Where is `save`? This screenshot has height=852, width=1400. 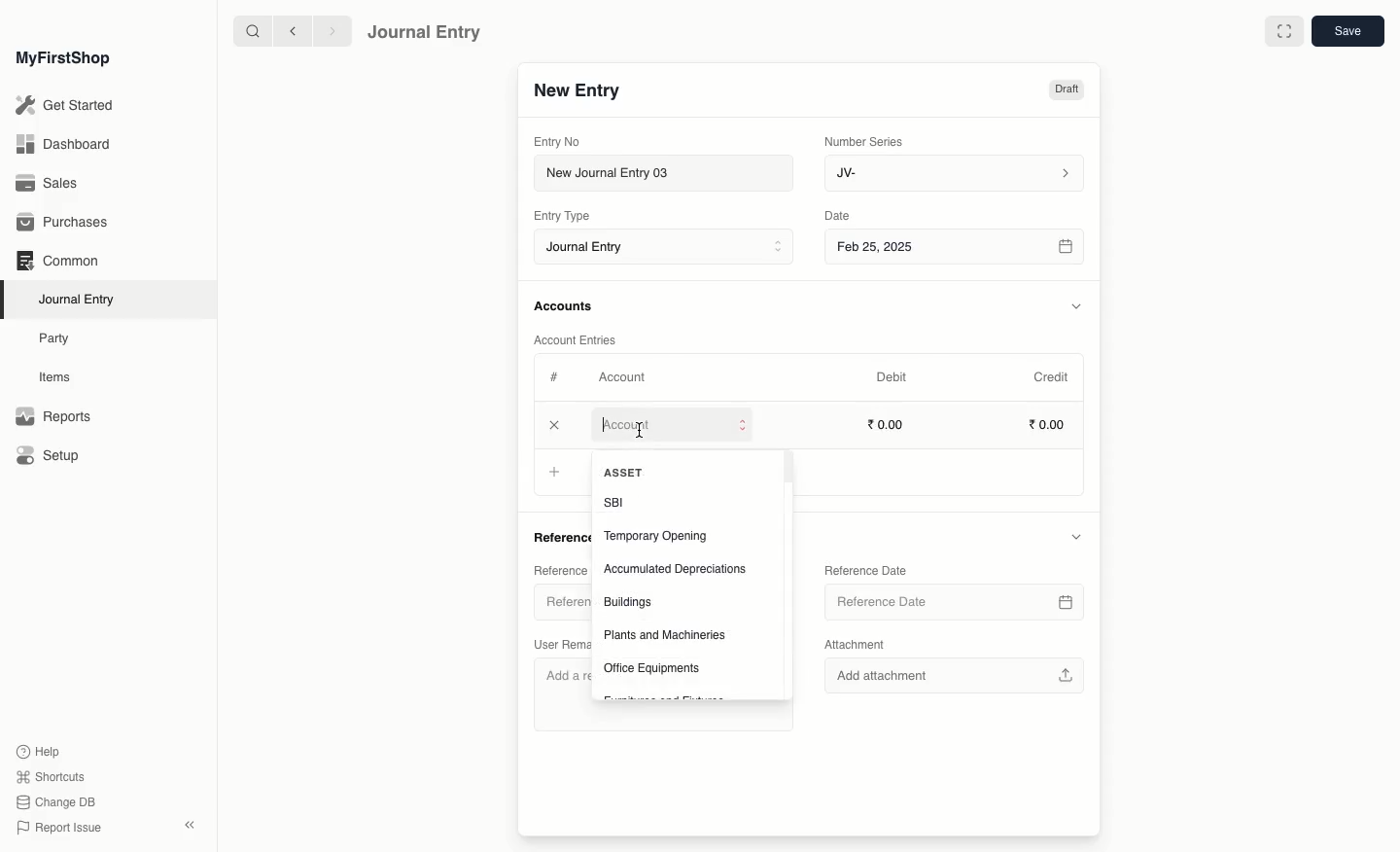
save is located at coordinates (1347, 32).